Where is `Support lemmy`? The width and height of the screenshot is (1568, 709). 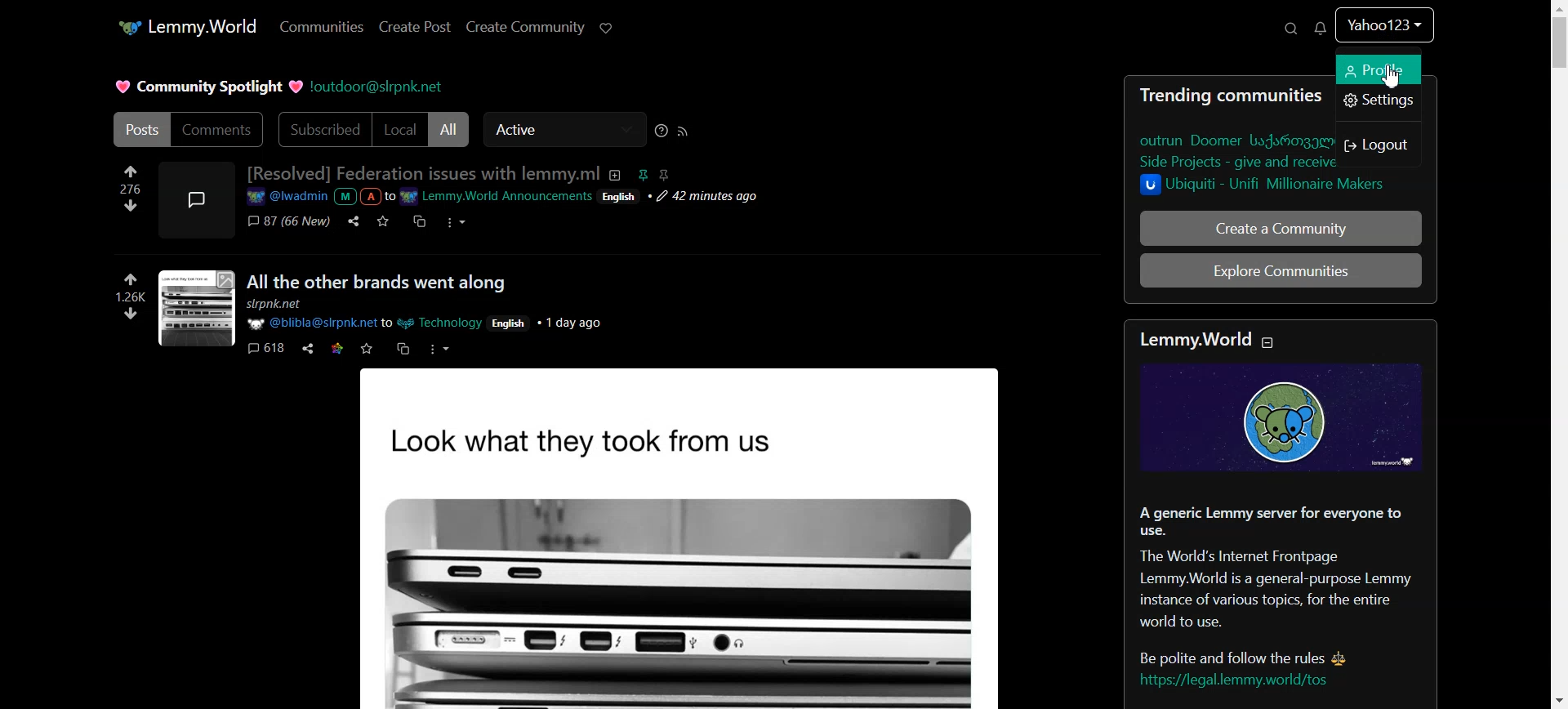 Support lemmy is located at coordinates (606, 27).